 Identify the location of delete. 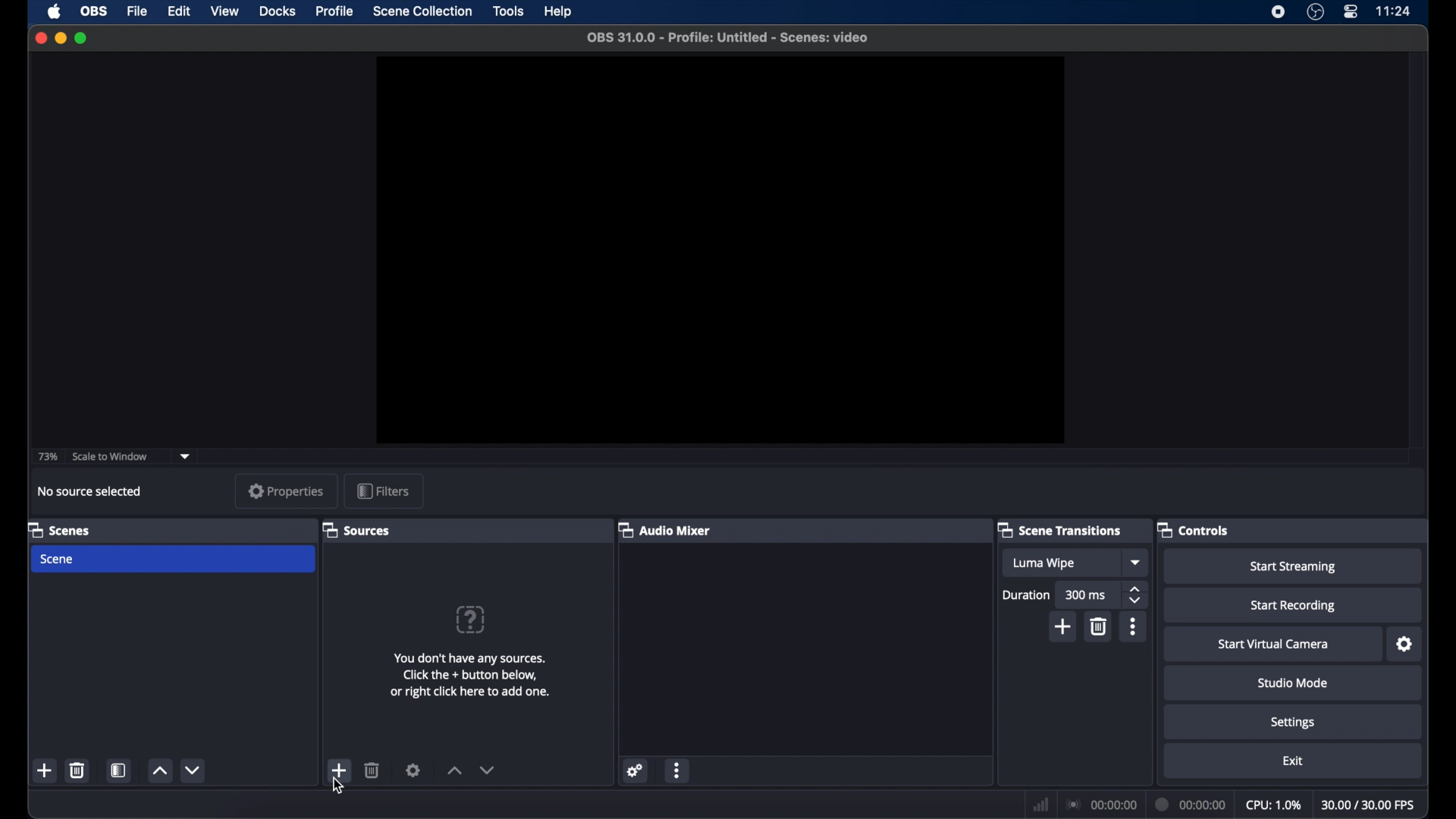
(1100, 627).